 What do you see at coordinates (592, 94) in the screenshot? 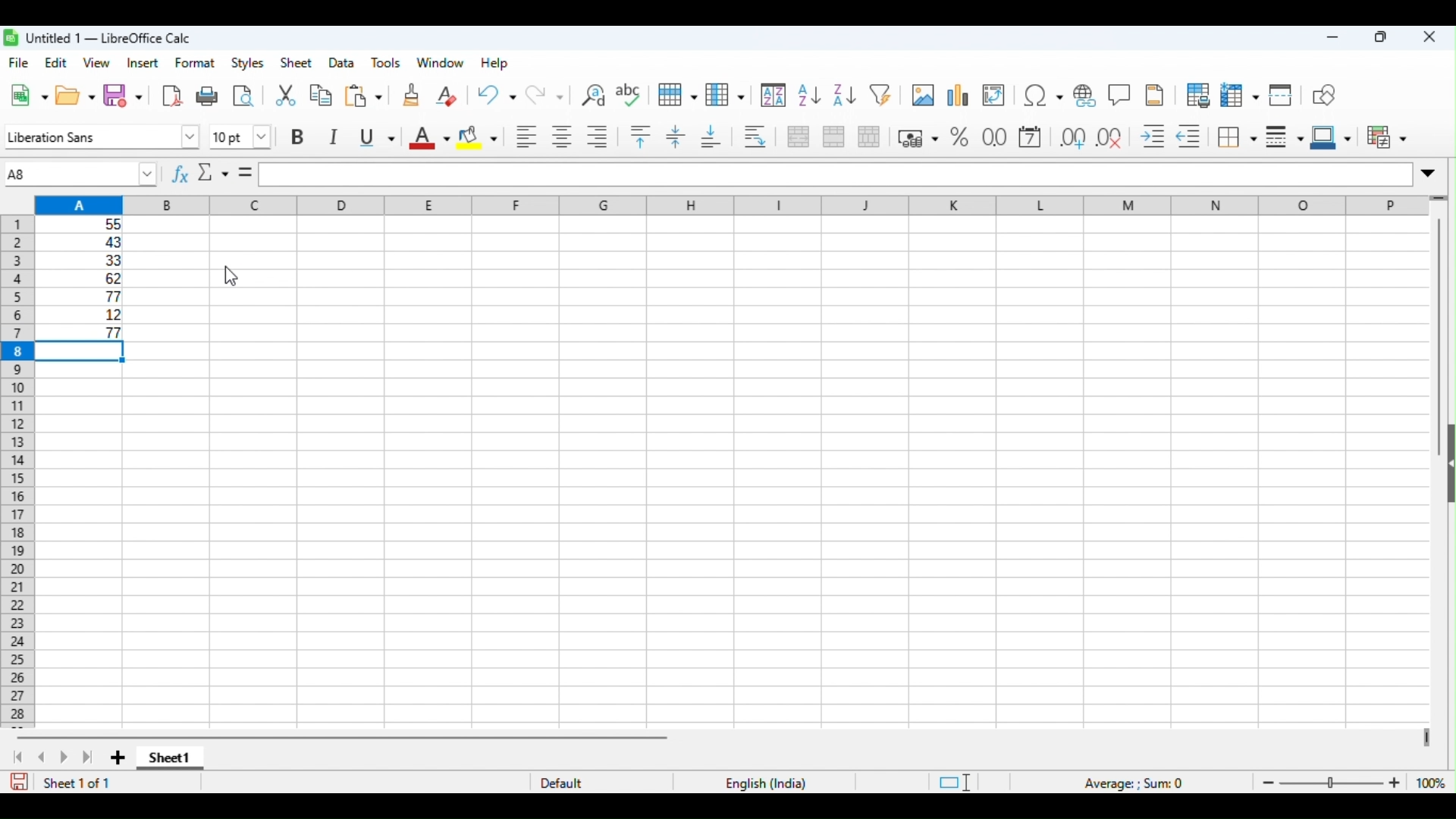
I see `find and replace` at bounding box center [592, 94].